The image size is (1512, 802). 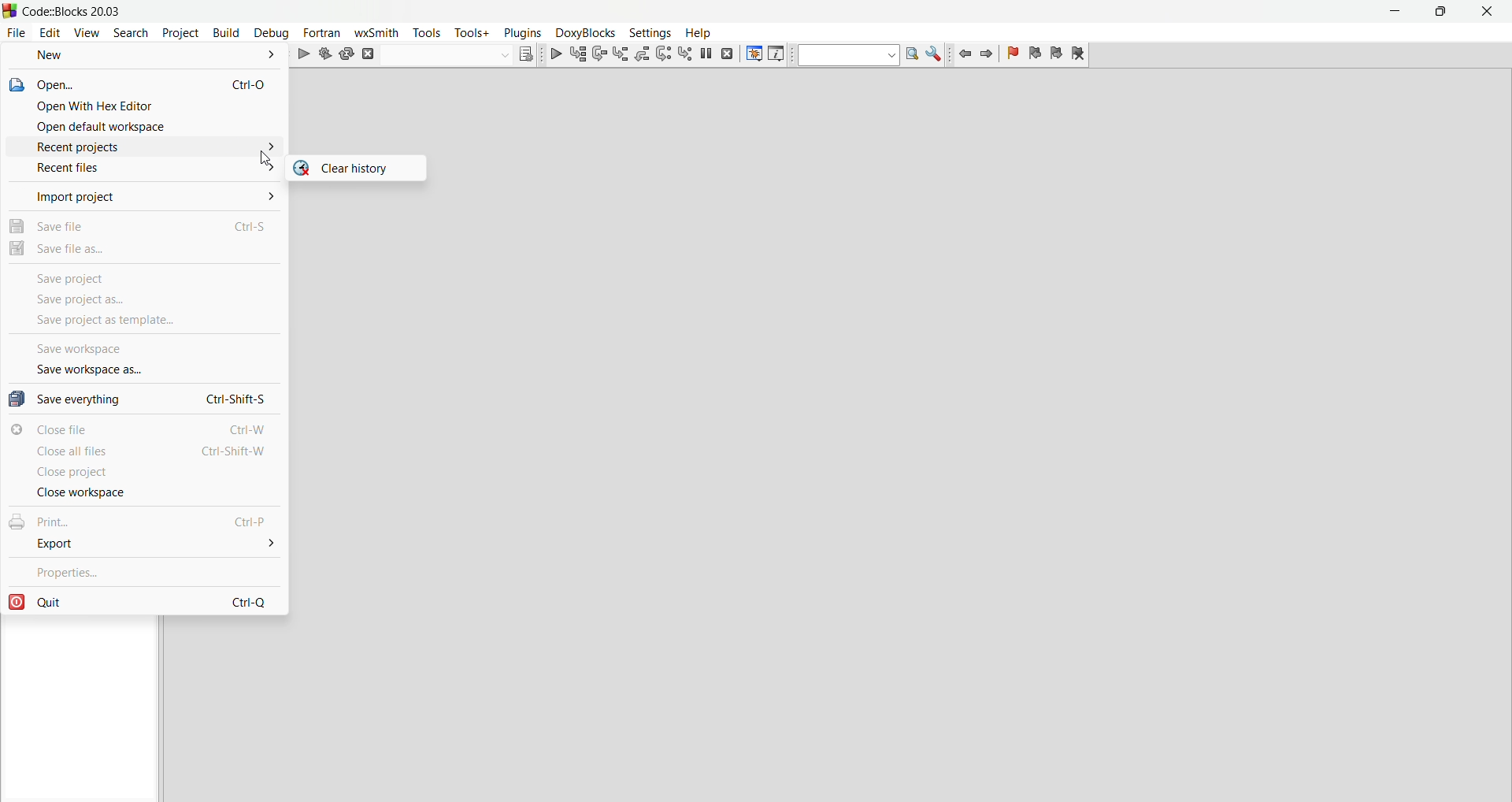 I want to click on jump back , so click(x=962, y=56).